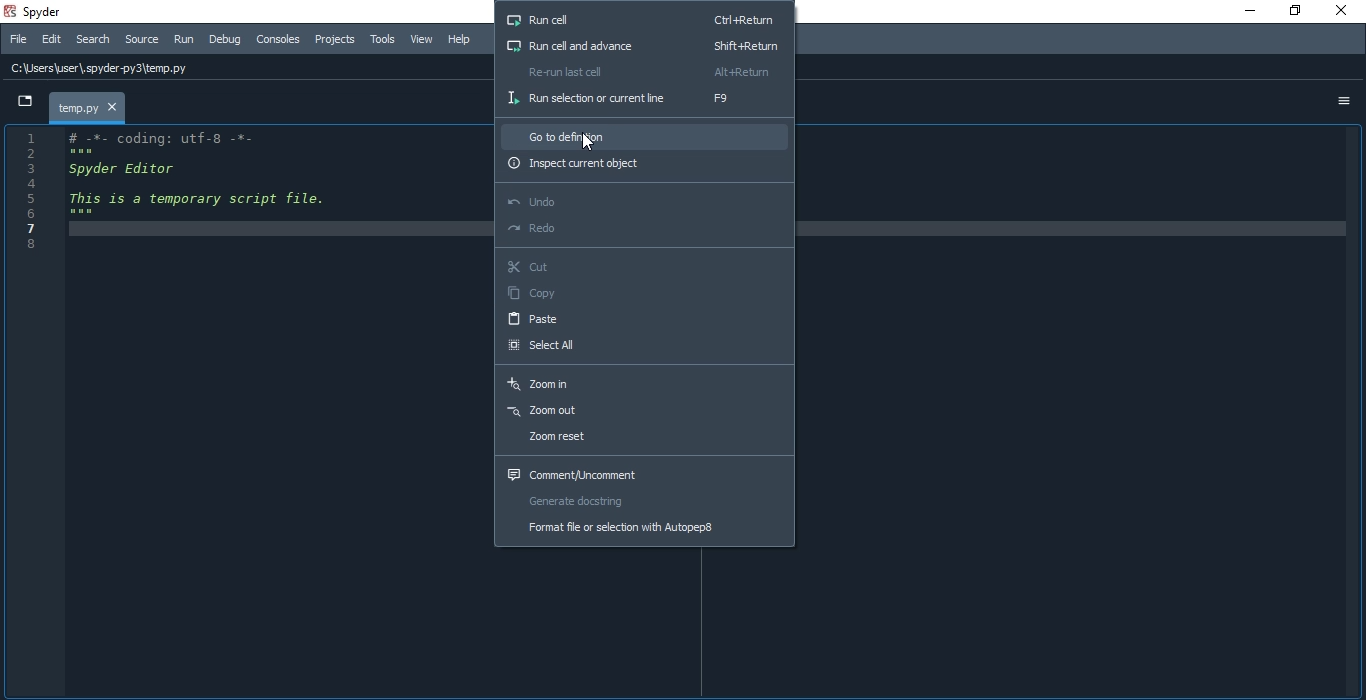 This screenshot has width=1366, height=700. I want to click on Paste, so click(643, 320).